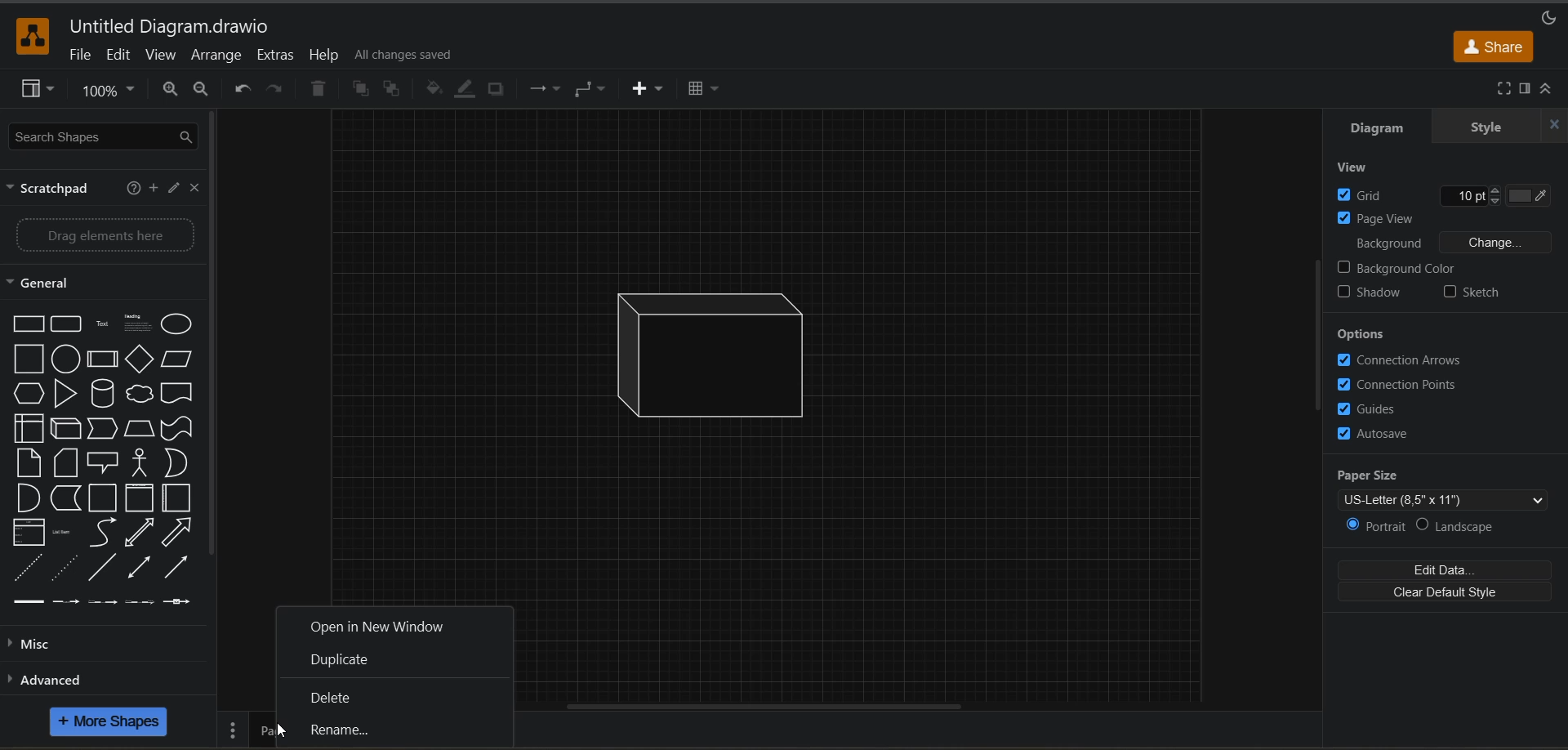  What do you see at coordinates (1363, 167) in the screenshot?
I see `view` at bounding box center [1363, 167].